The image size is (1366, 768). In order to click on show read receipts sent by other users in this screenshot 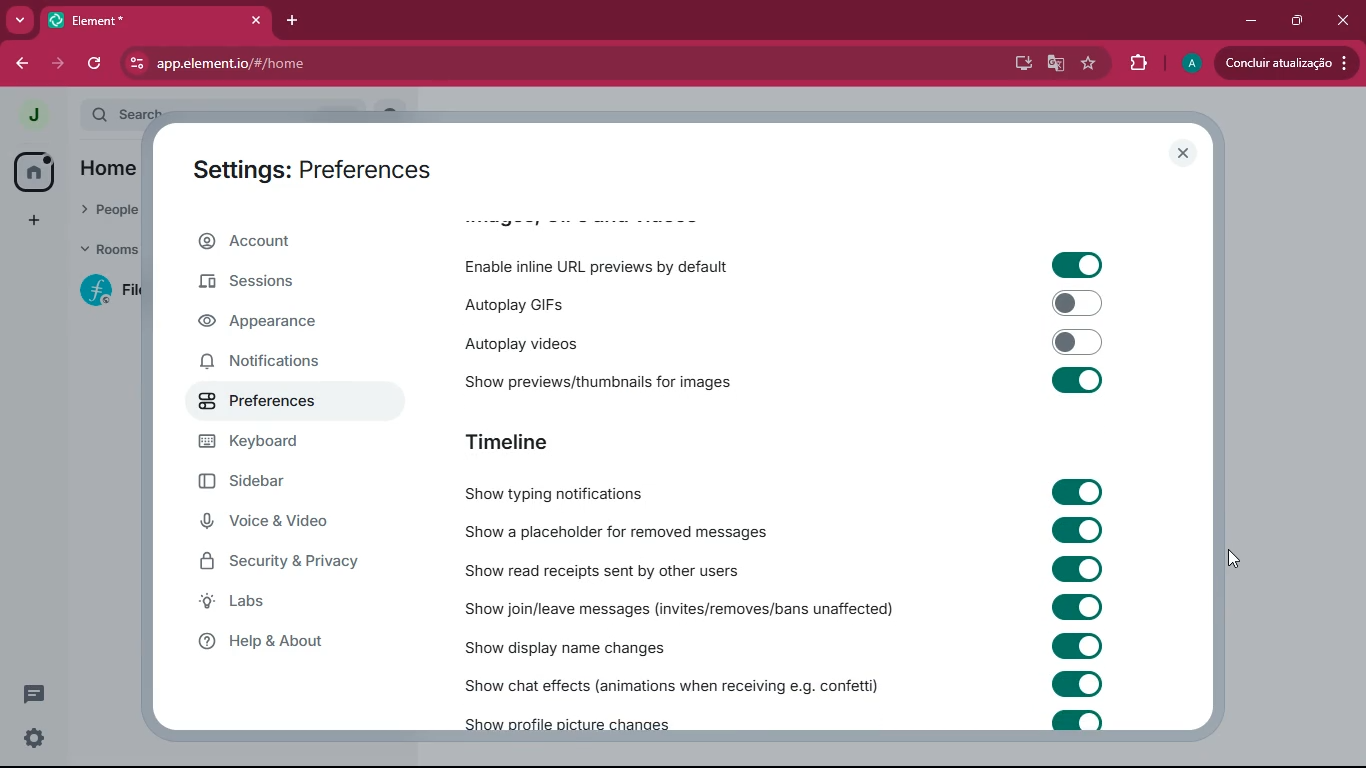, I will do `click(616, 568)`.